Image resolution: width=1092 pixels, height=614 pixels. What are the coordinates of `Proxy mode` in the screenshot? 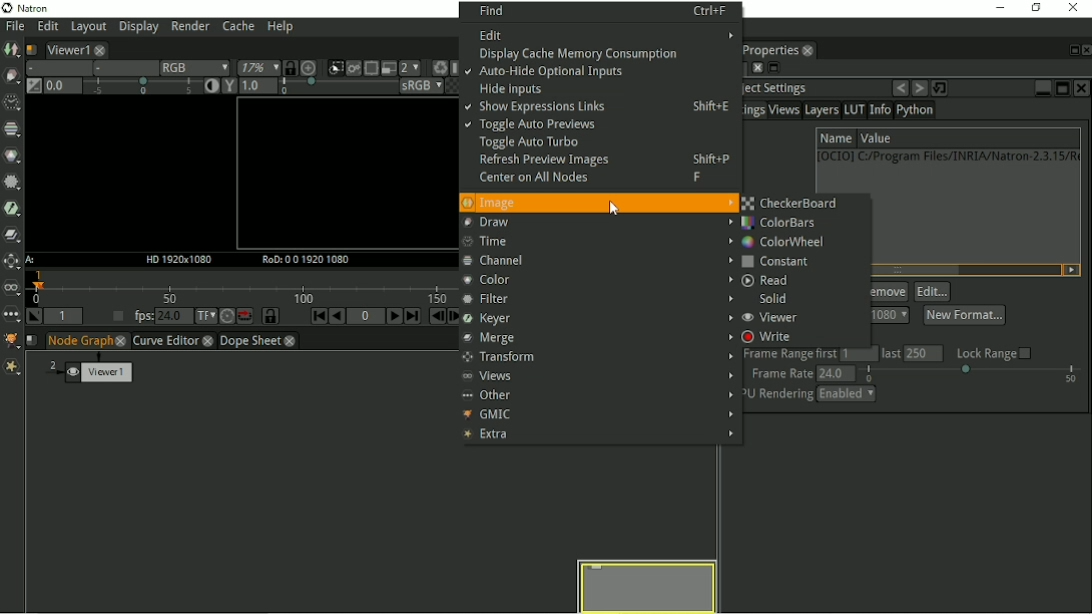 It's located at (387, 67).